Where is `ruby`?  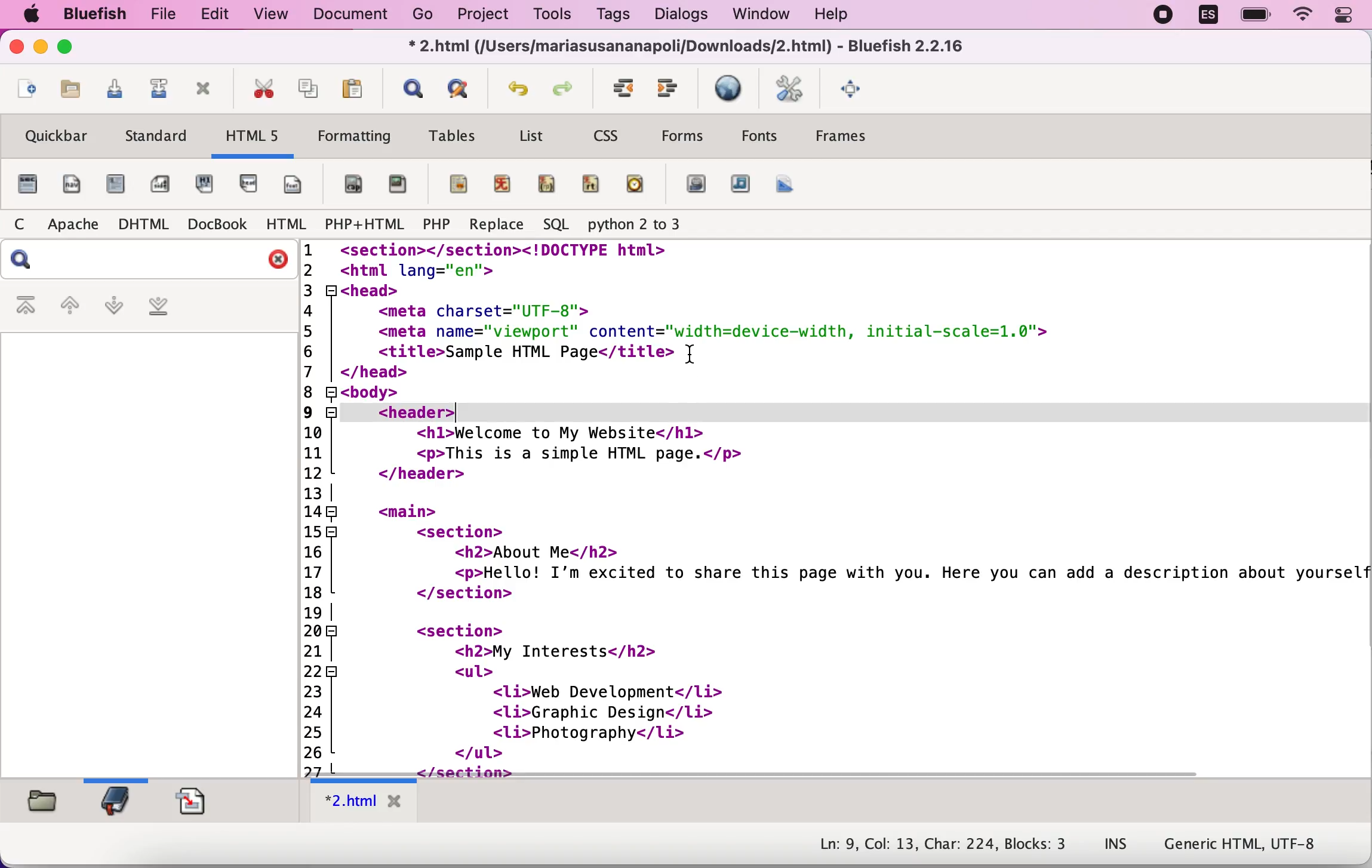 ruby is located at coordinates (507, 181).